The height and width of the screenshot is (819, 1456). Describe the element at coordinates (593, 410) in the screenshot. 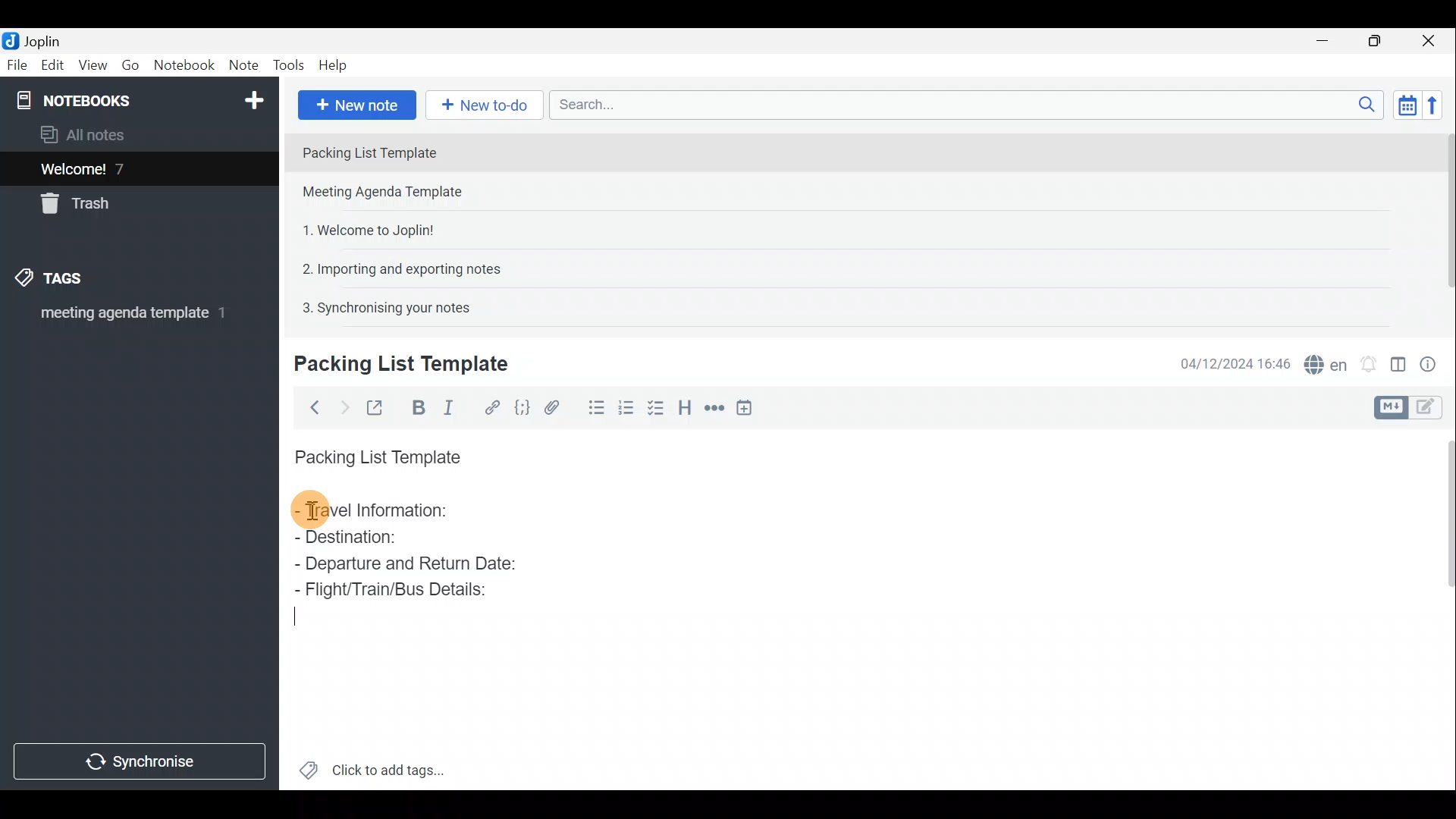

I see `Bulleted list` at that location.